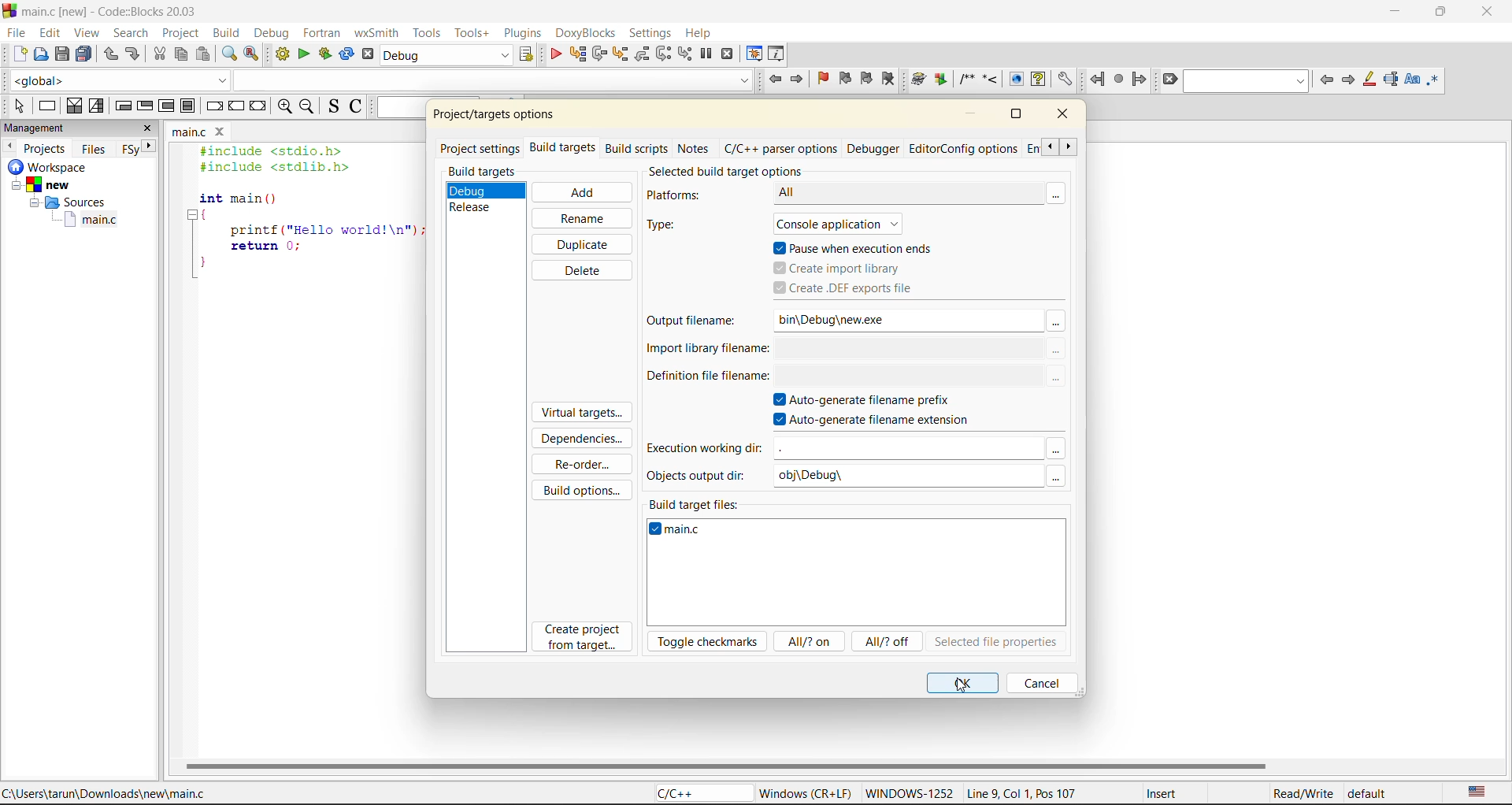  I want to click on projects, so click(47, 148).